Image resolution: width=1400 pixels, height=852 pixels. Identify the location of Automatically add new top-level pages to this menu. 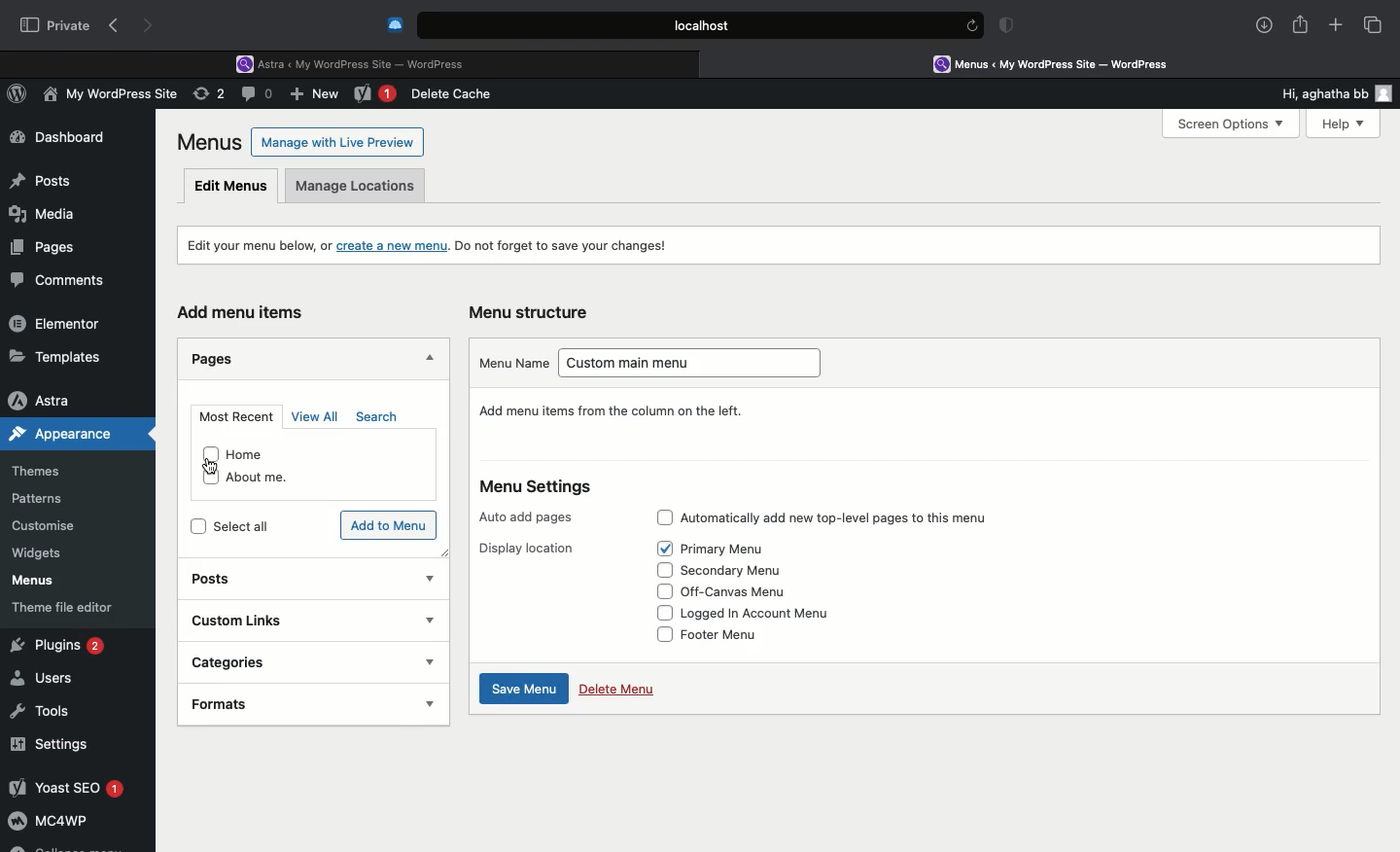
(856, 516).